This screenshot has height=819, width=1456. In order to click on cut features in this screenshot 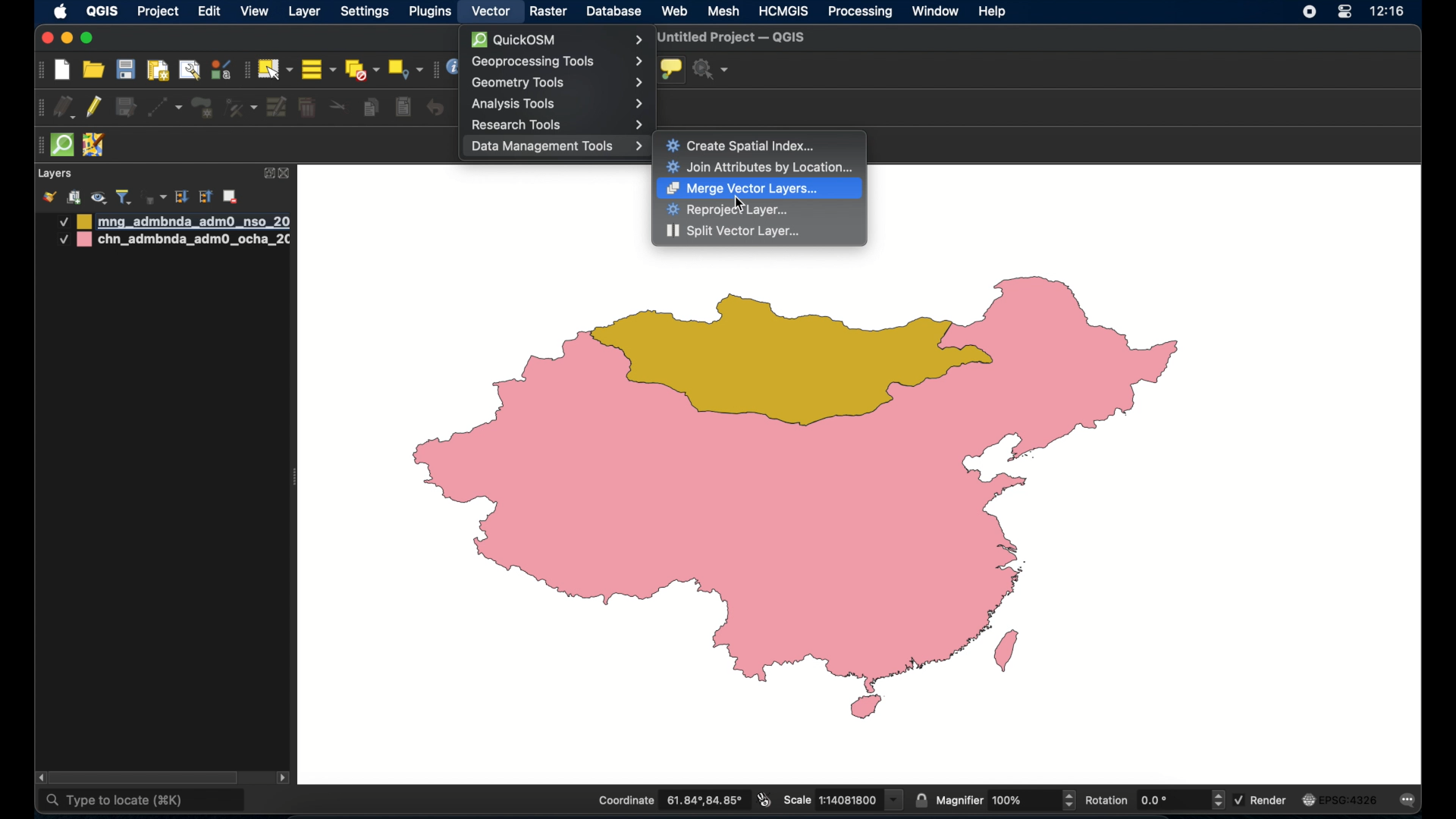, I will do `click(339, 107)`.